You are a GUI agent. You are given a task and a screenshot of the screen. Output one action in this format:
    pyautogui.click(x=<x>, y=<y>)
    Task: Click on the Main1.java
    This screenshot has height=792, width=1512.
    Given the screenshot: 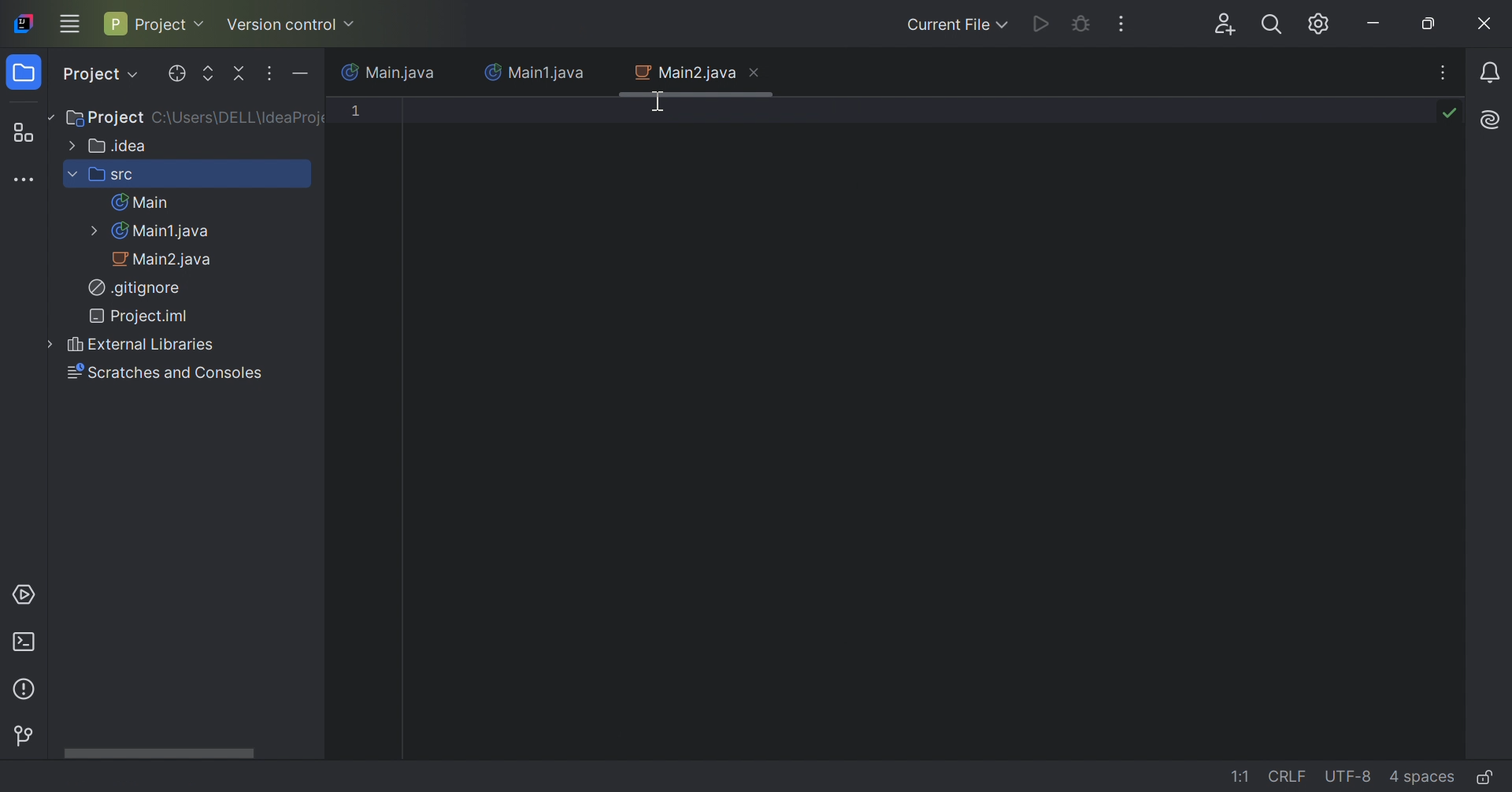 What is the action you would take?
    pyautogui.click(x=154, y=230)
    